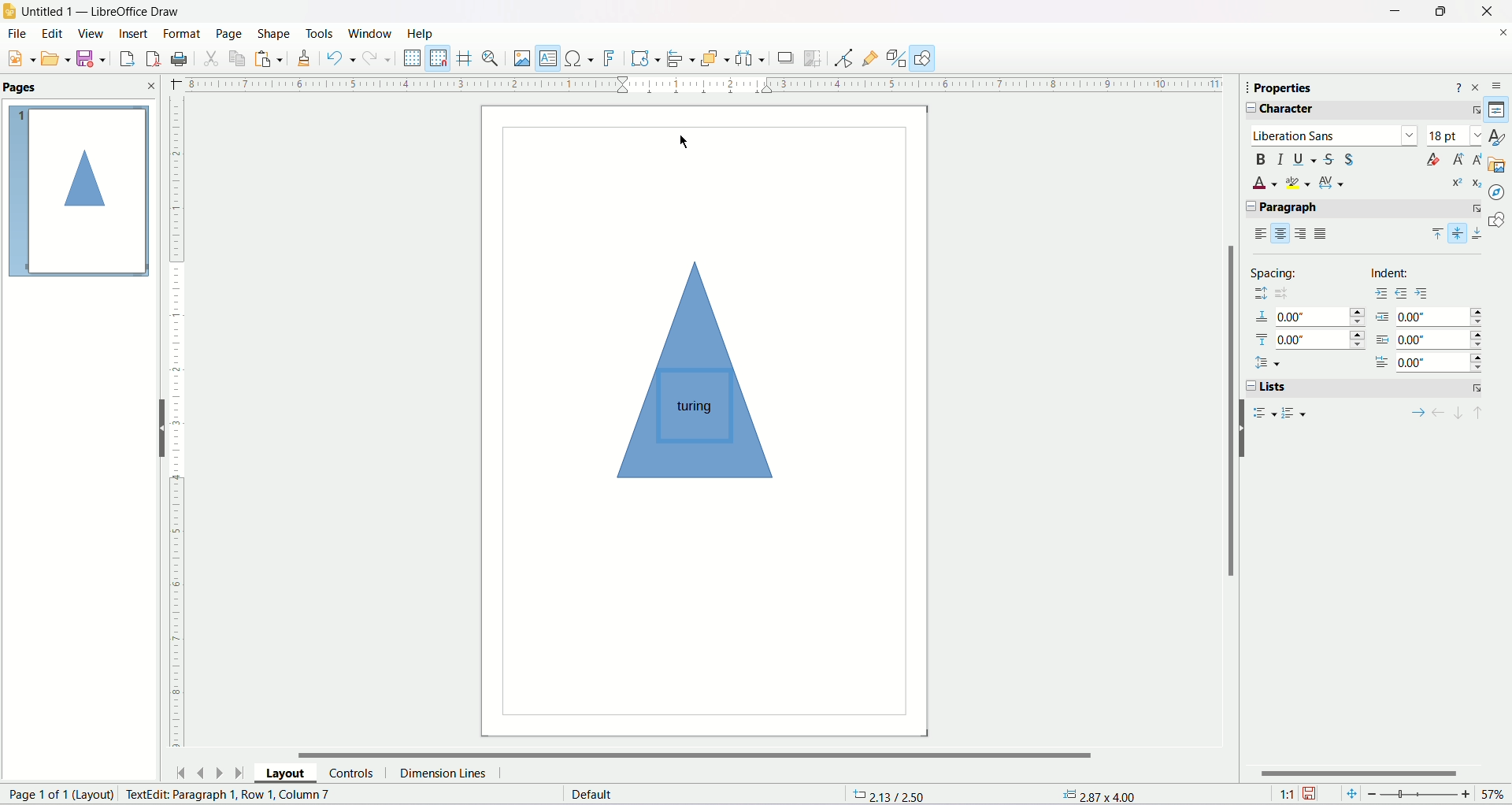  What do you see at coordinates (1263, 185) in the screenshot?
I see `font color` at bounding box center [1263, 185].